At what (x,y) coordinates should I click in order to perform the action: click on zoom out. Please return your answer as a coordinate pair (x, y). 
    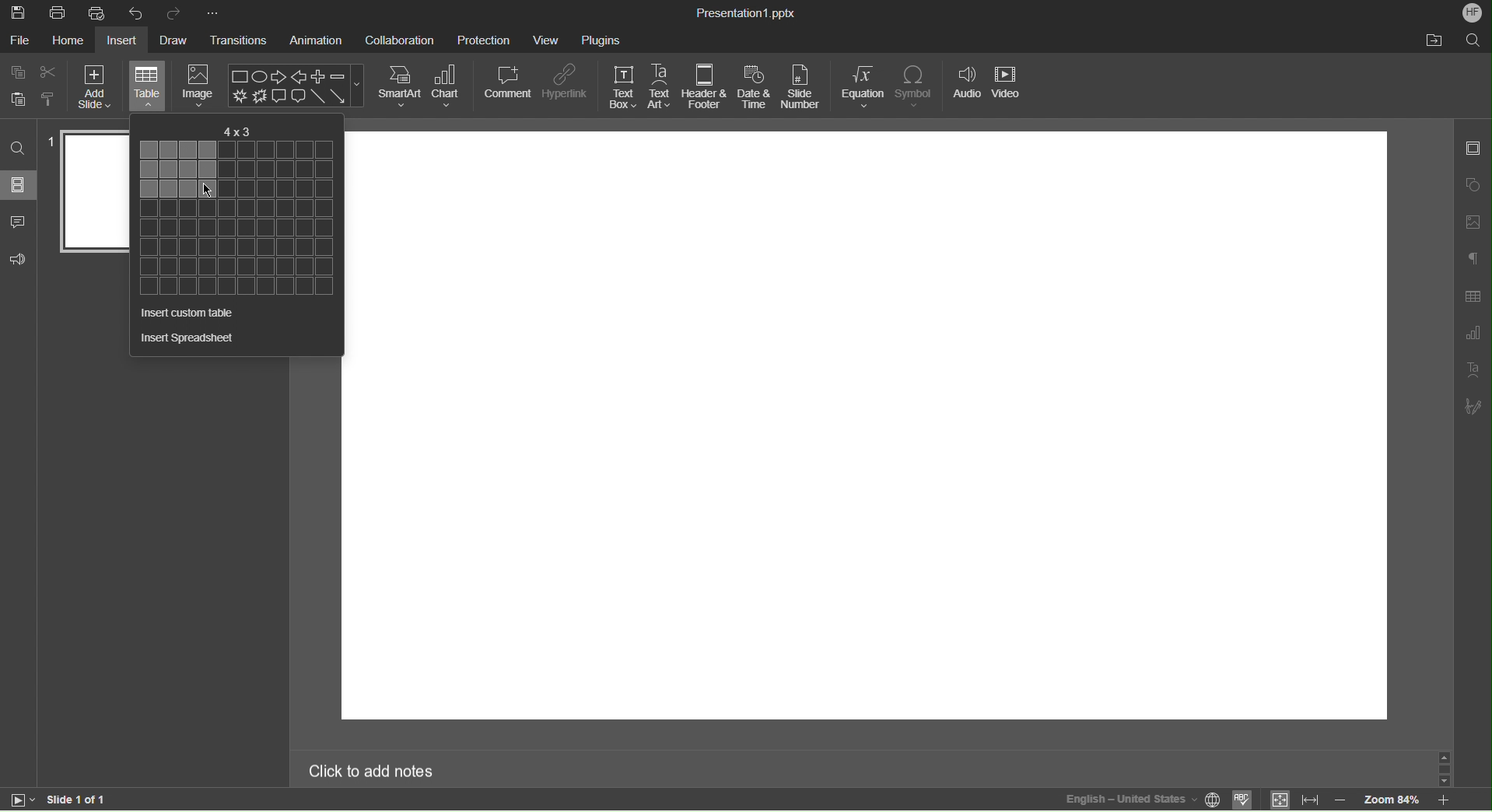
    Looking at the image, I should click on (1340, 800).